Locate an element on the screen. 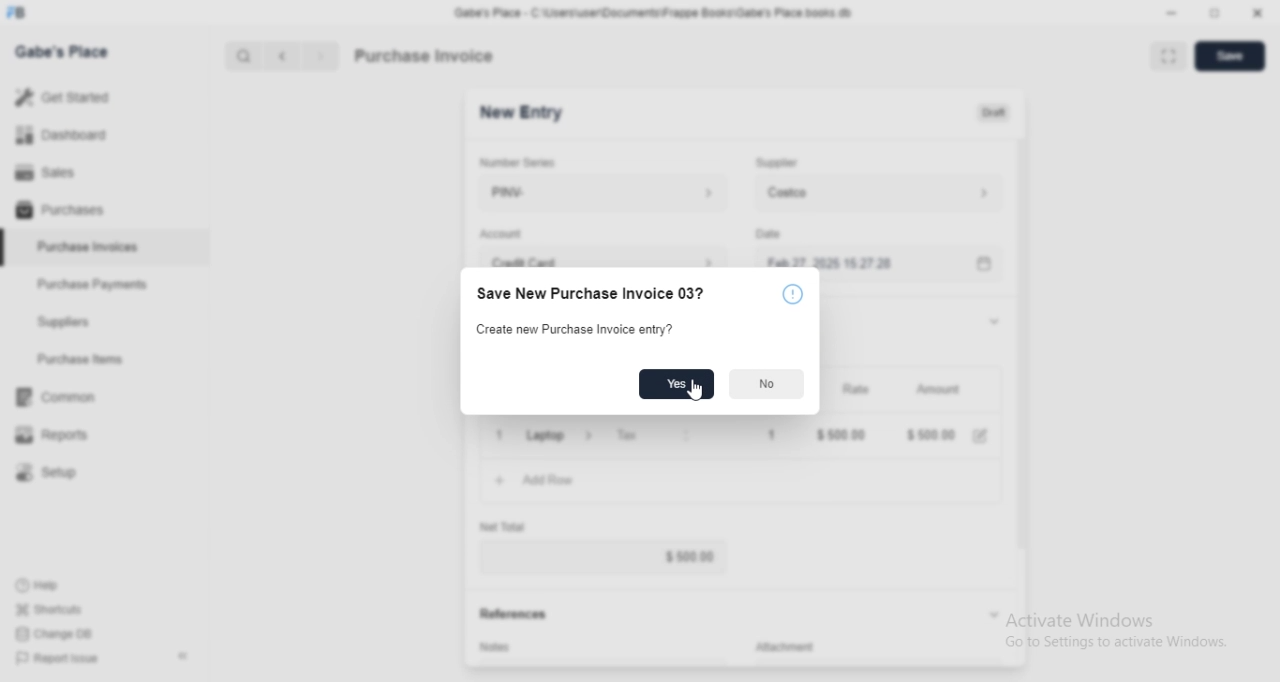  Add Row is located at coordinates (741, 481).